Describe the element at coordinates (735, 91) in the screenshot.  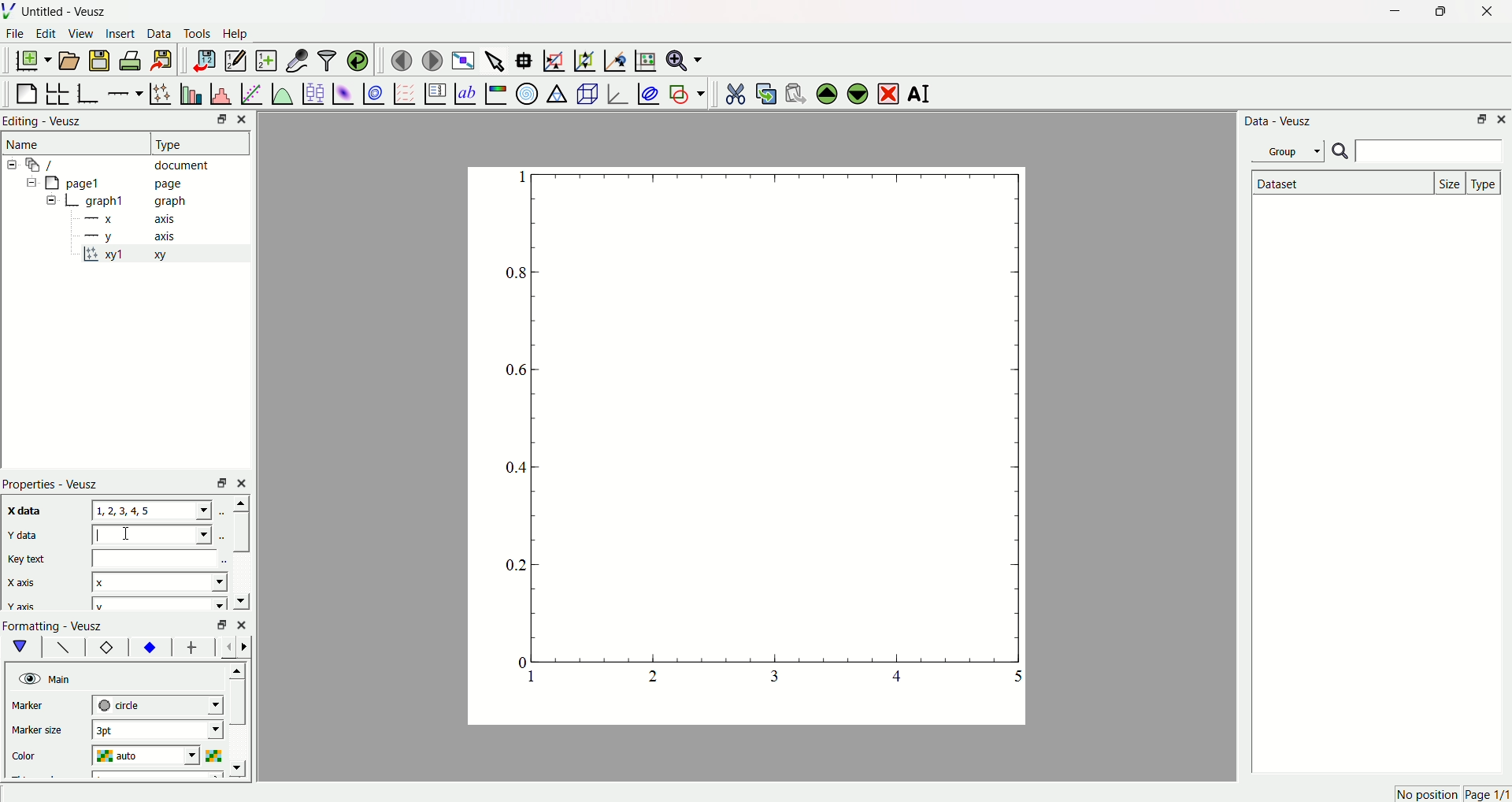
I see `cut the widgets` at that location.